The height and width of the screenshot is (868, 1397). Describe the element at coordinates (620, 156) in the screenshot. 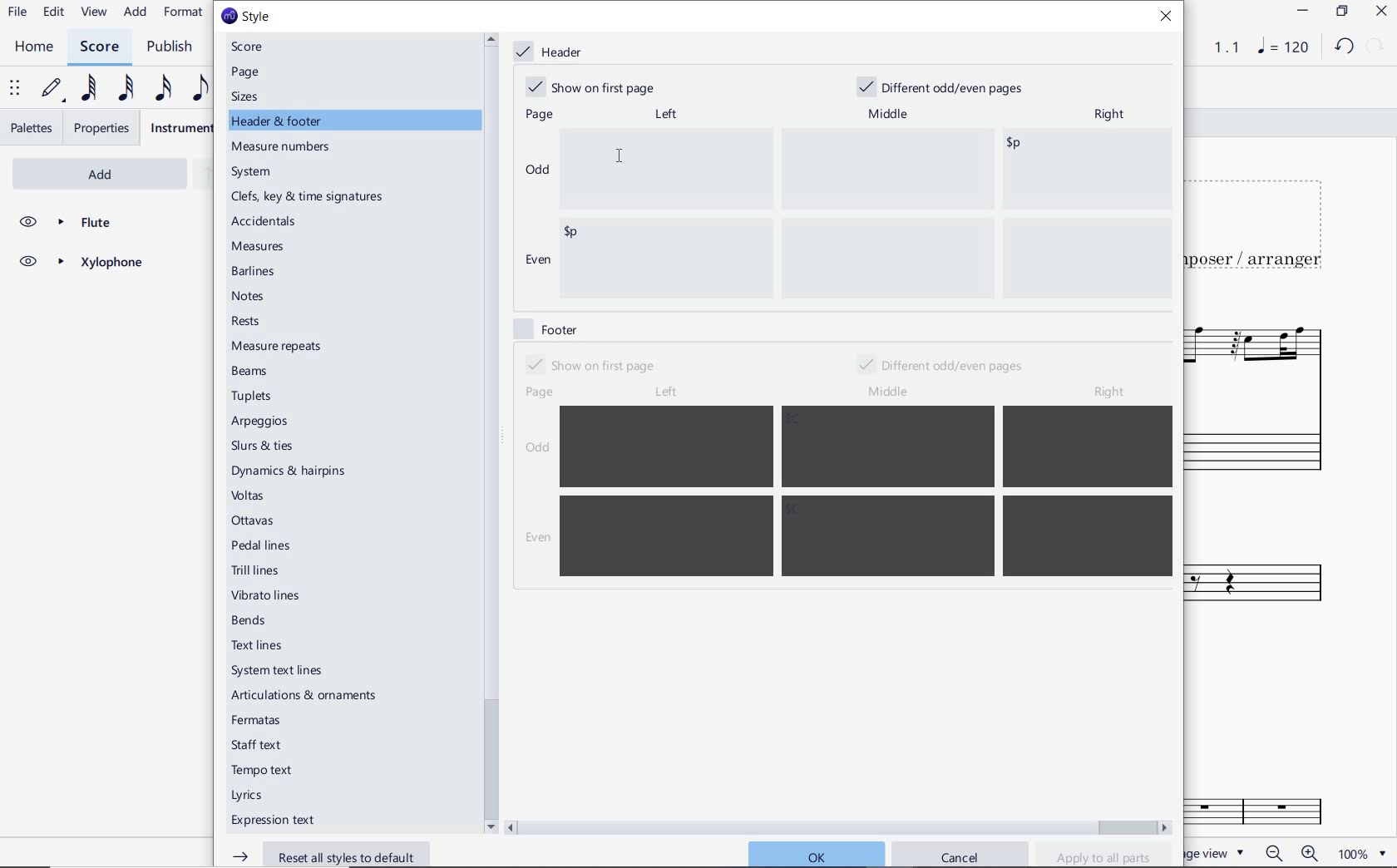

I see `cursor` at that location.